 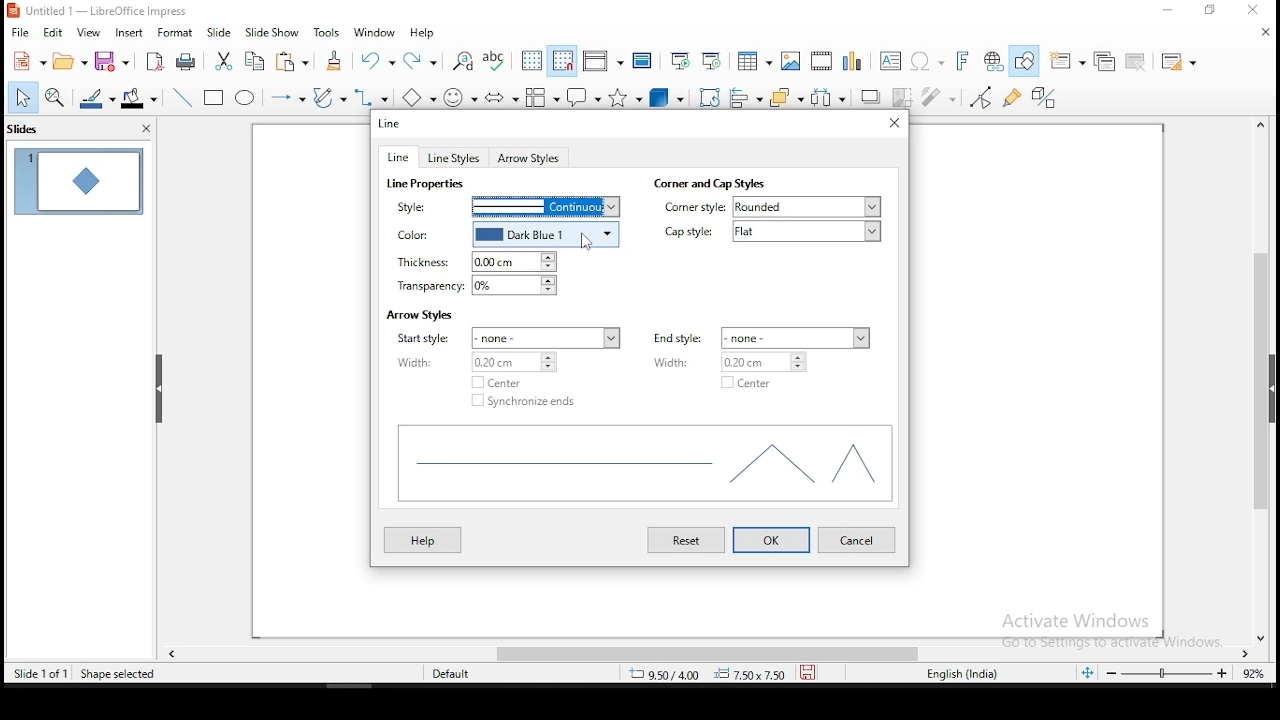 I want to click on symbol shapes, so click(x=464, y=100).